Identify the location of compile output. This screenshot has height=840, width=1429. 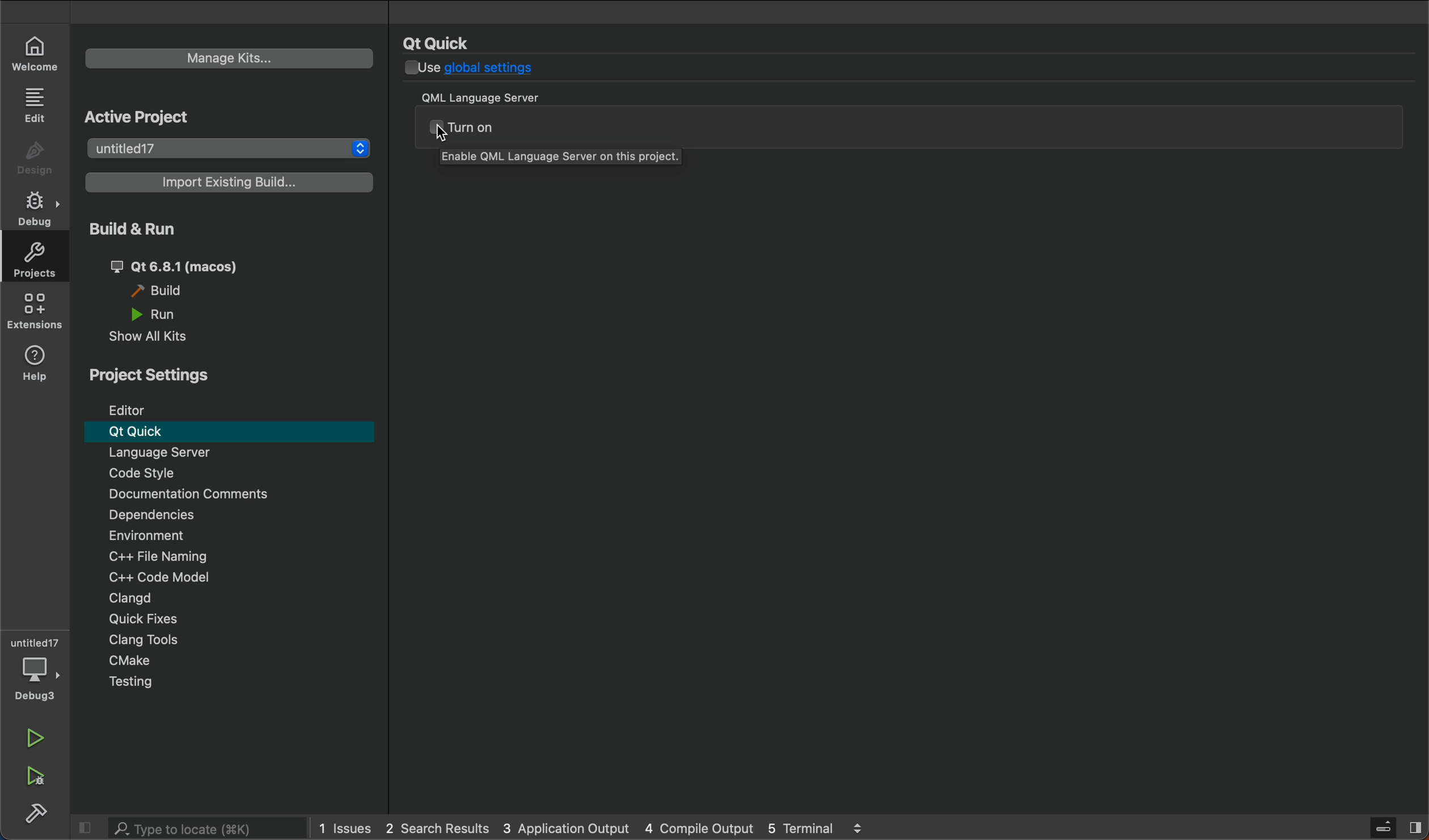
(699, 827).